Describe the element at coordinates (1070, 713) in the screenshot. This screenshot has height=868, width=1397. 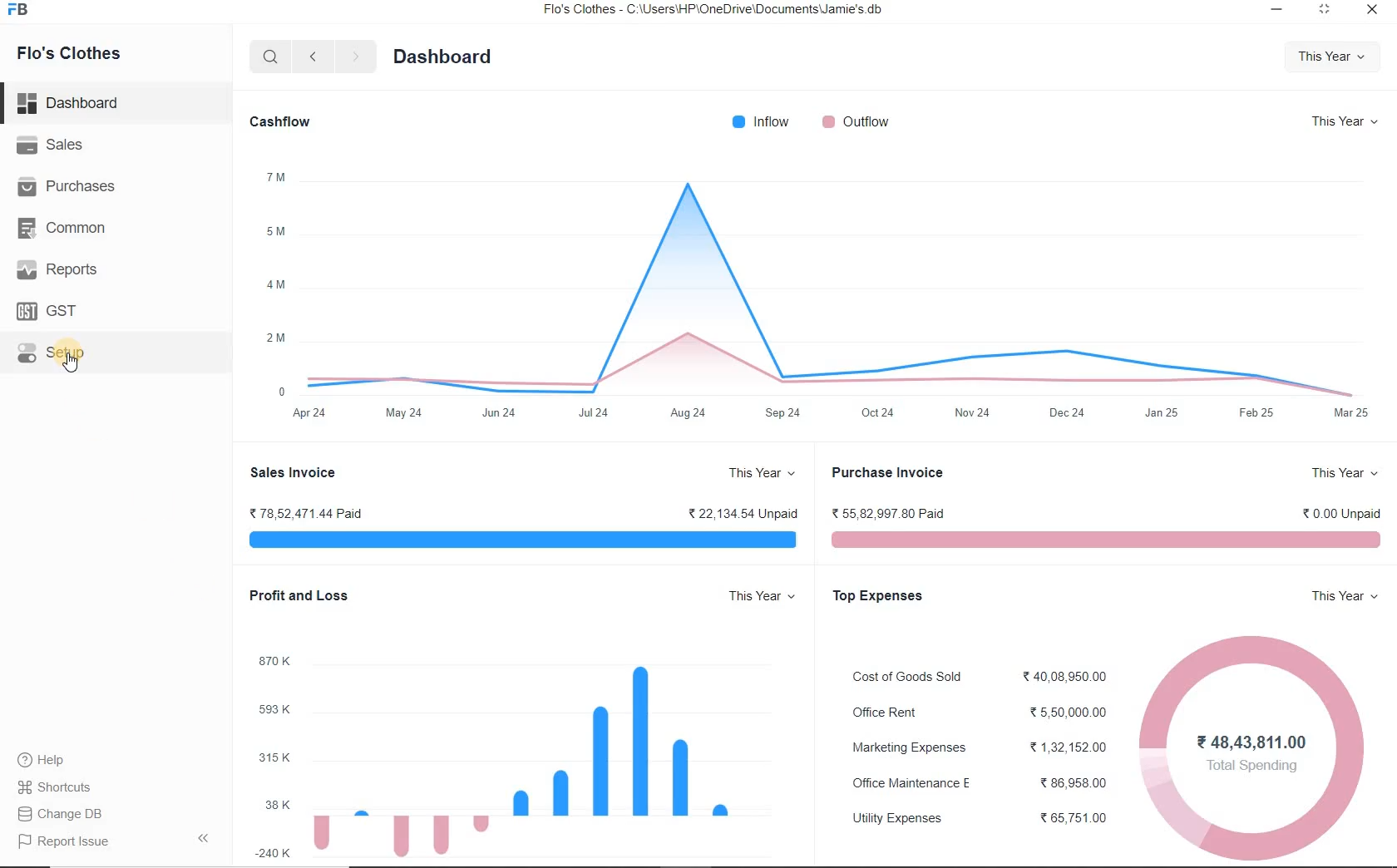
I see `5,50,000.00` at that location.